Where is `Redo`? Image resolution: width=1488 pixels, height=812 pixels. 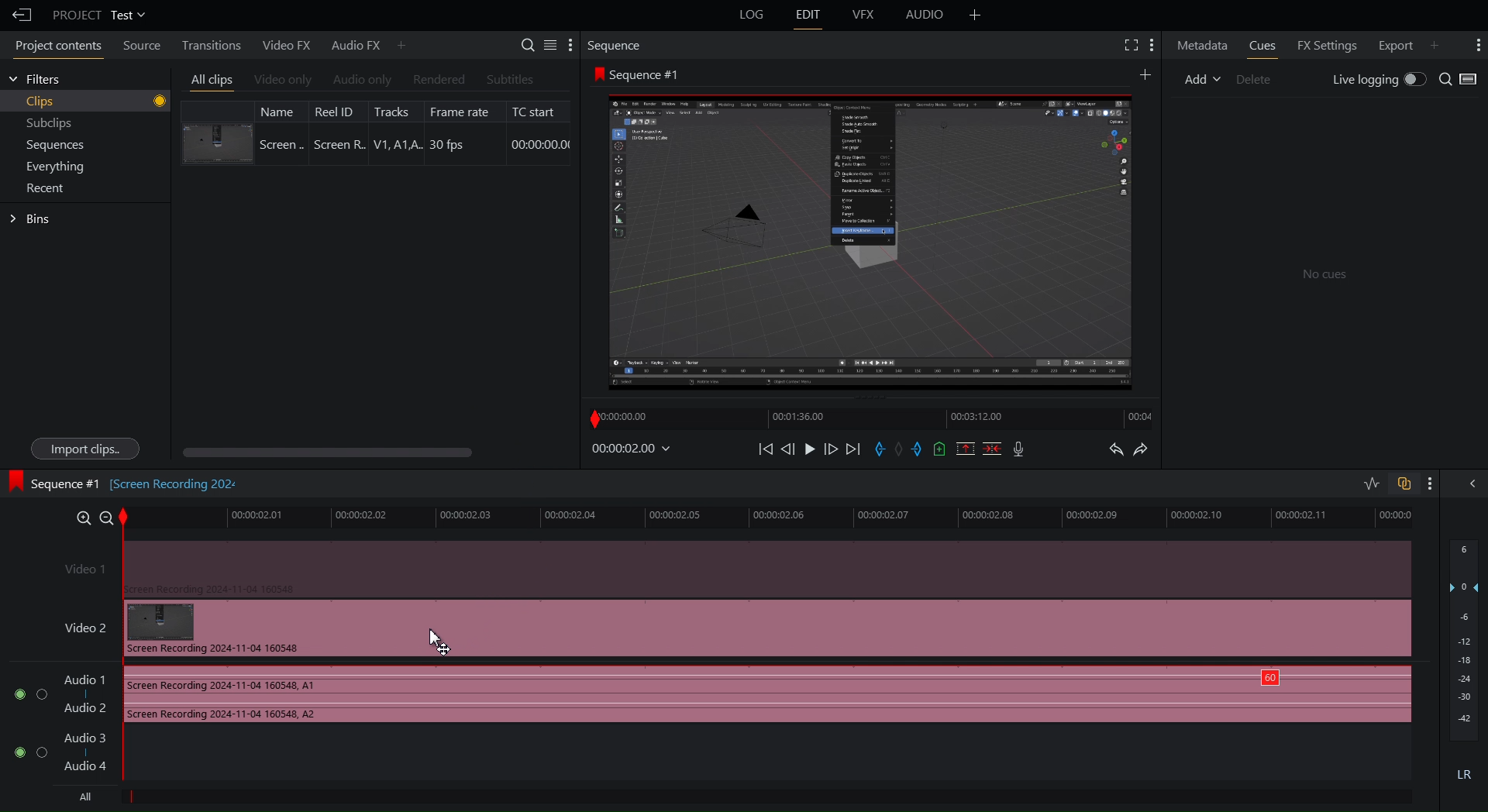 Redo is located at coordinates (1149, 451).